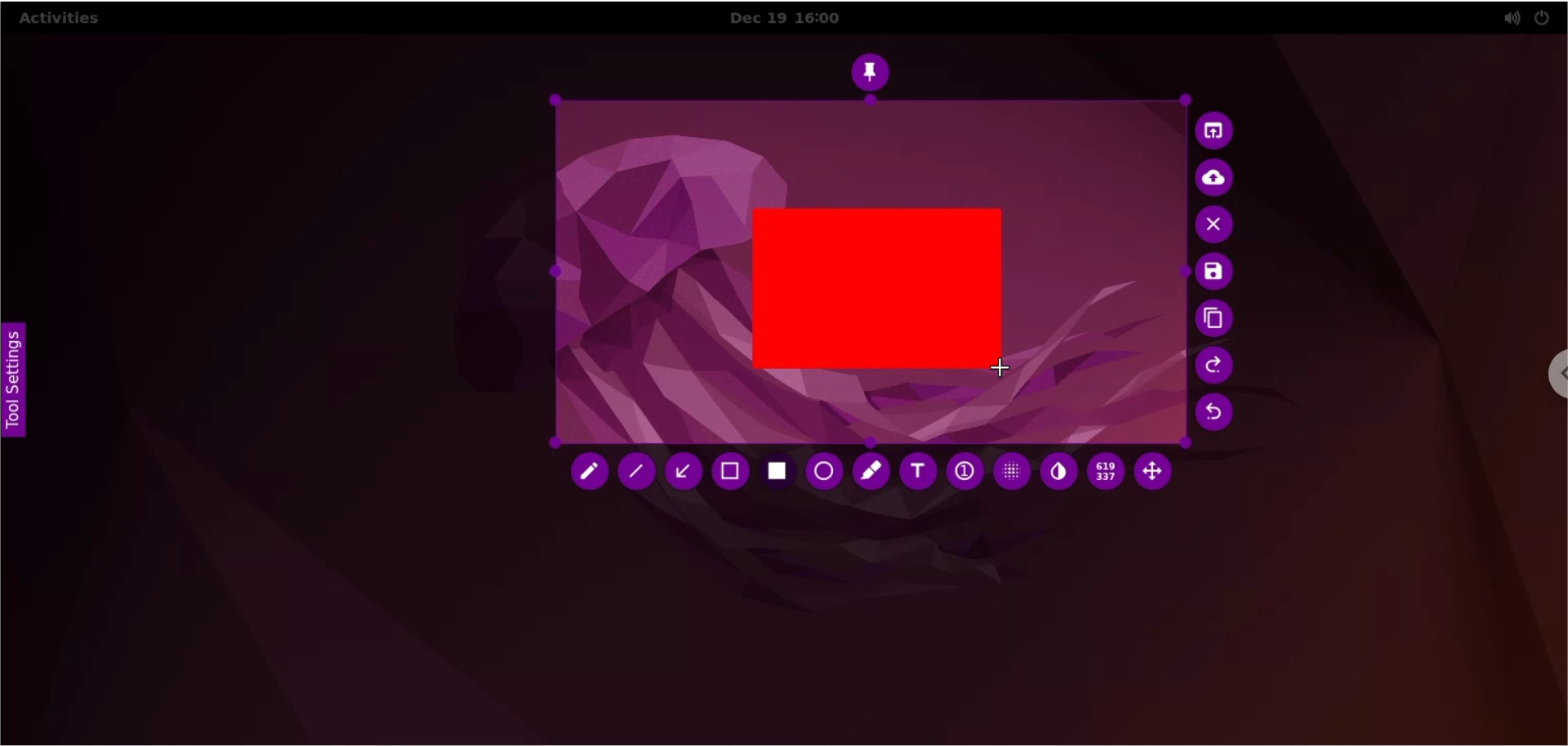  I want to click on copy to clipboards, so click(1213, 320).